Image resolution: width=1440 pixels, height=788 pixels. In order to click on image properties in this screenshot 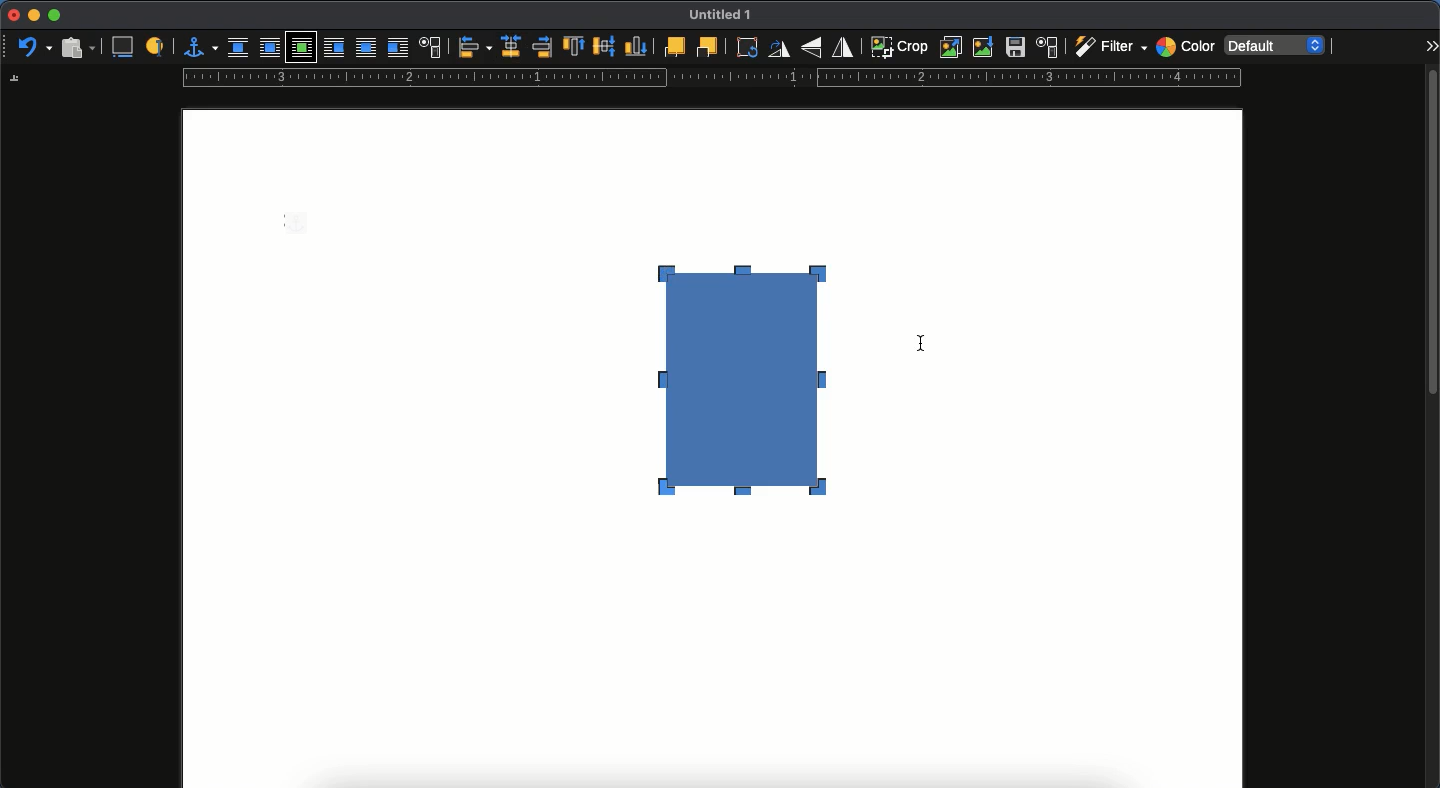, I will do `click(1048, 47)`.